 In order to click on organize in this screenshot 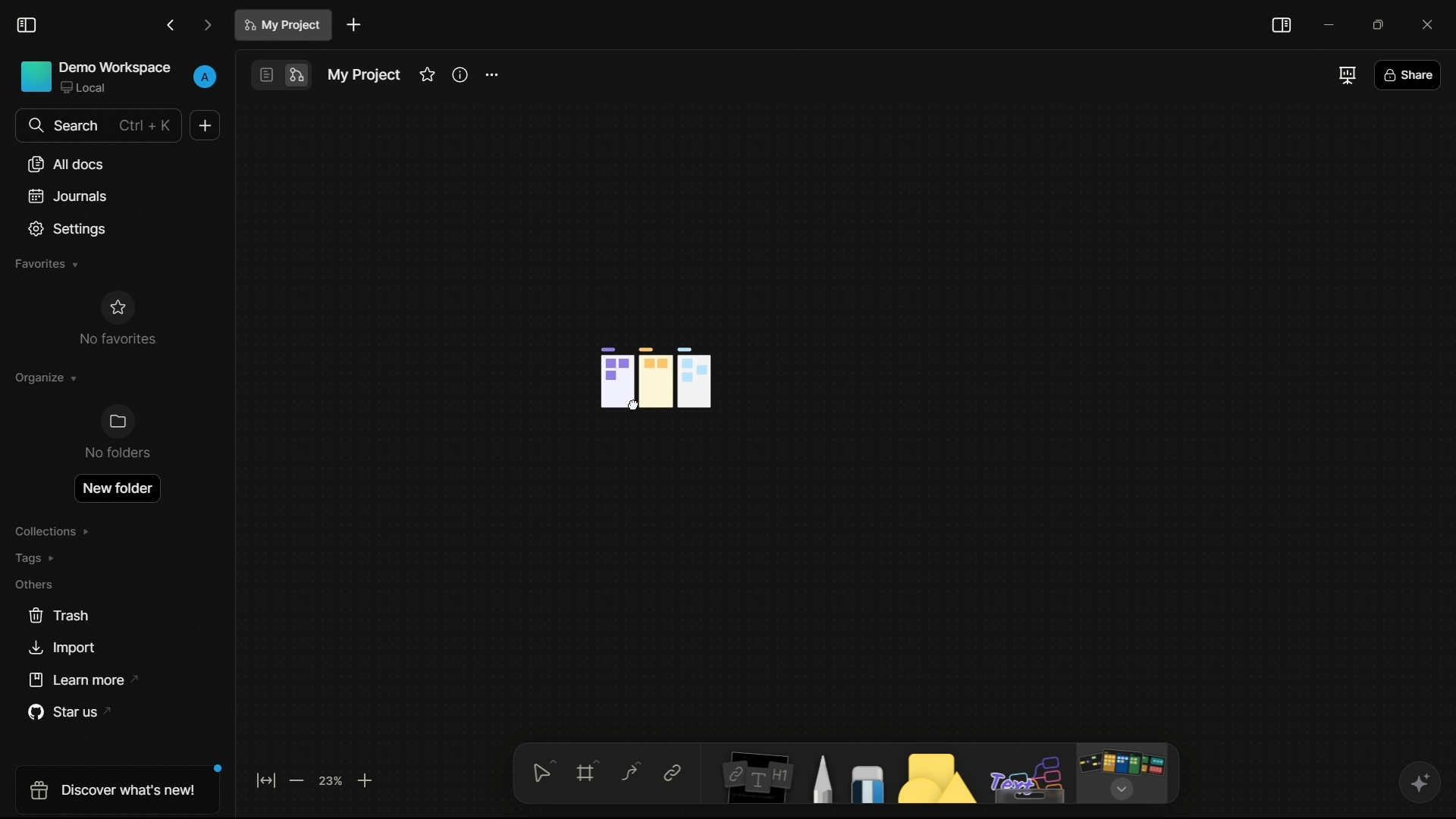, I will do `click(44, 378)`.